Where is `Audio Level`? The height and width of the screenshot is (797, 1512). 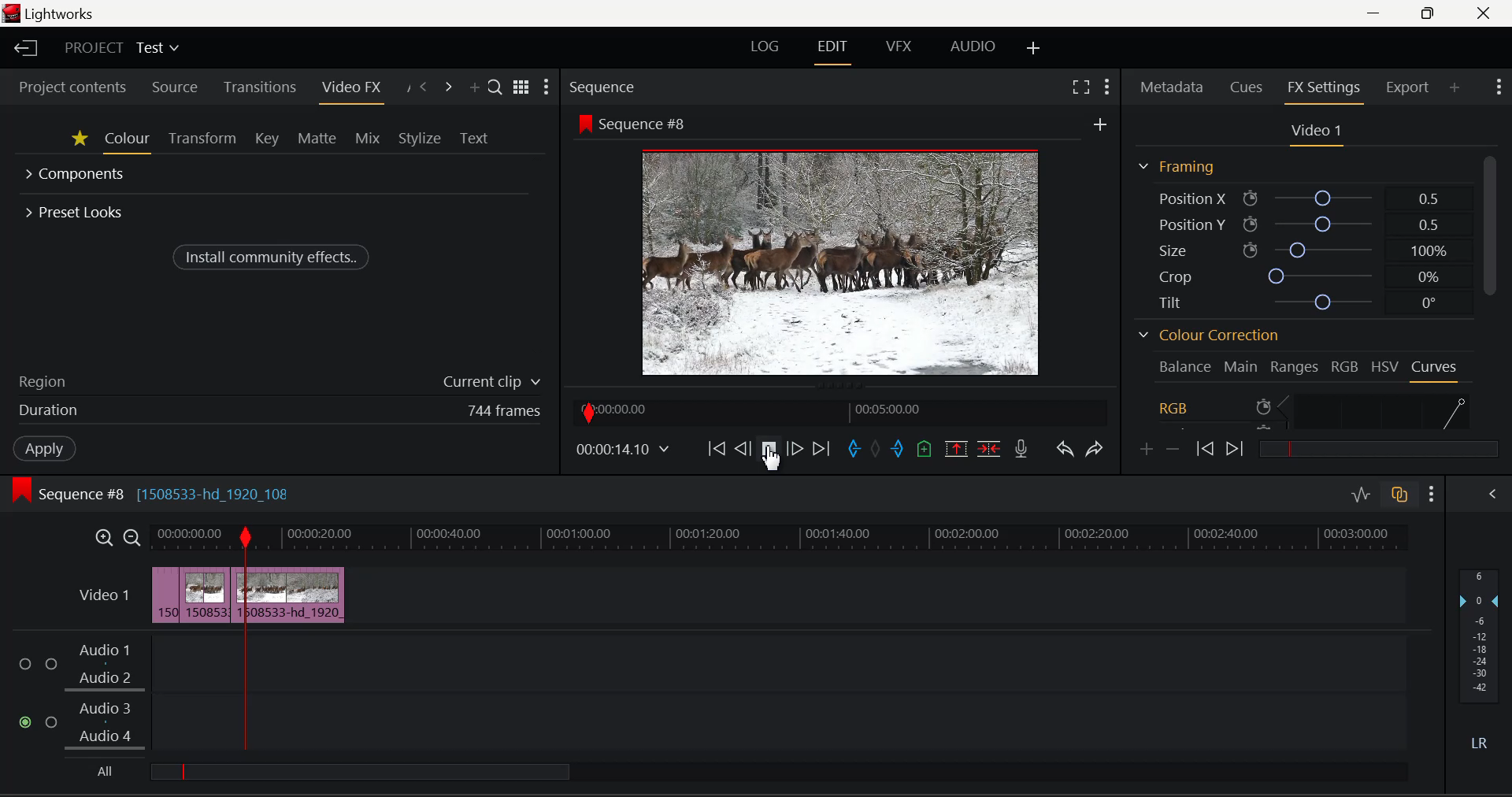
Audio Level is located at coordinates (717, 691).